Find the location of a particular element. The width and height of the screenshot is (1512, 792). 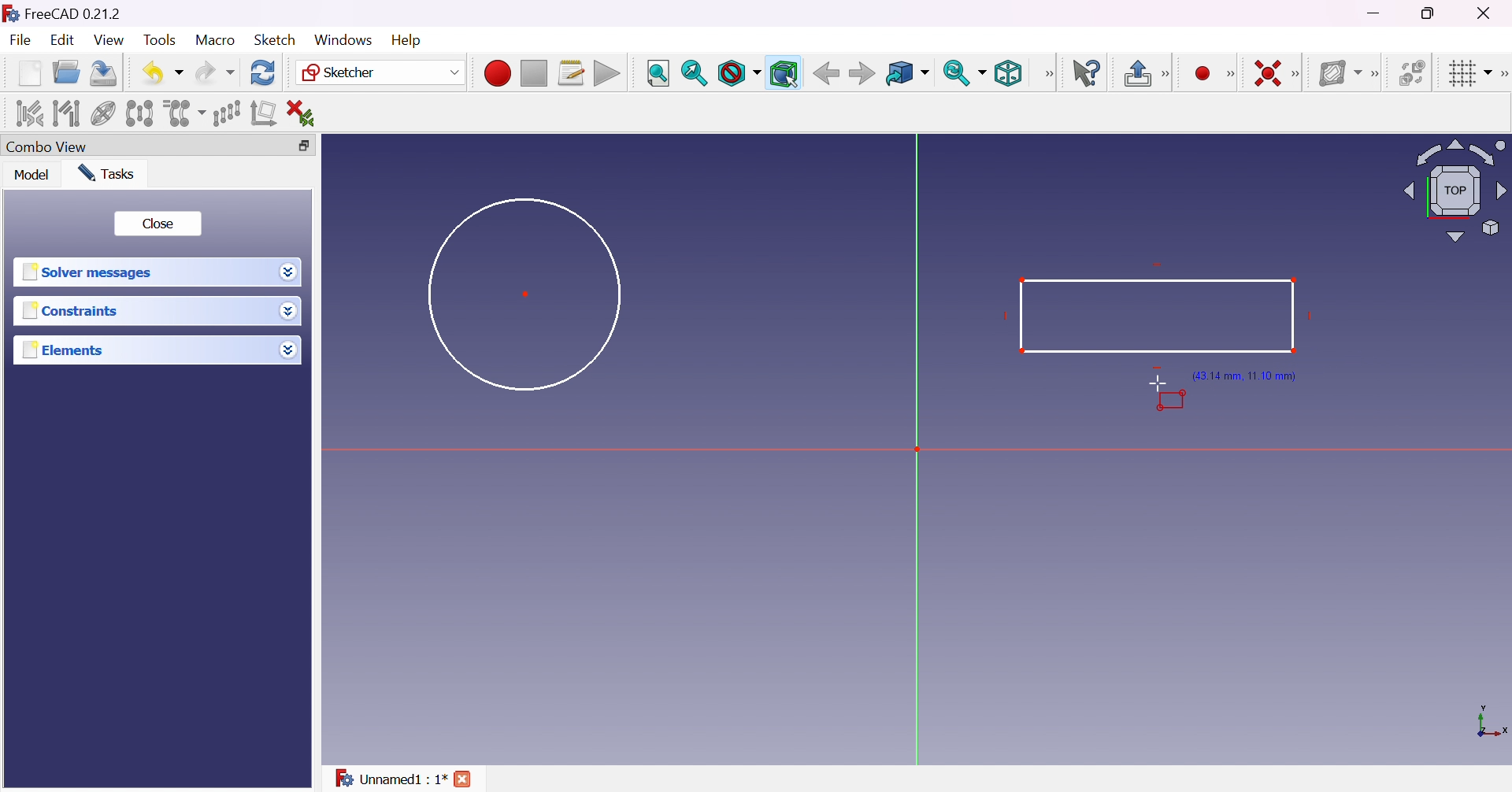

Macro is located at coordinates (216, 39).